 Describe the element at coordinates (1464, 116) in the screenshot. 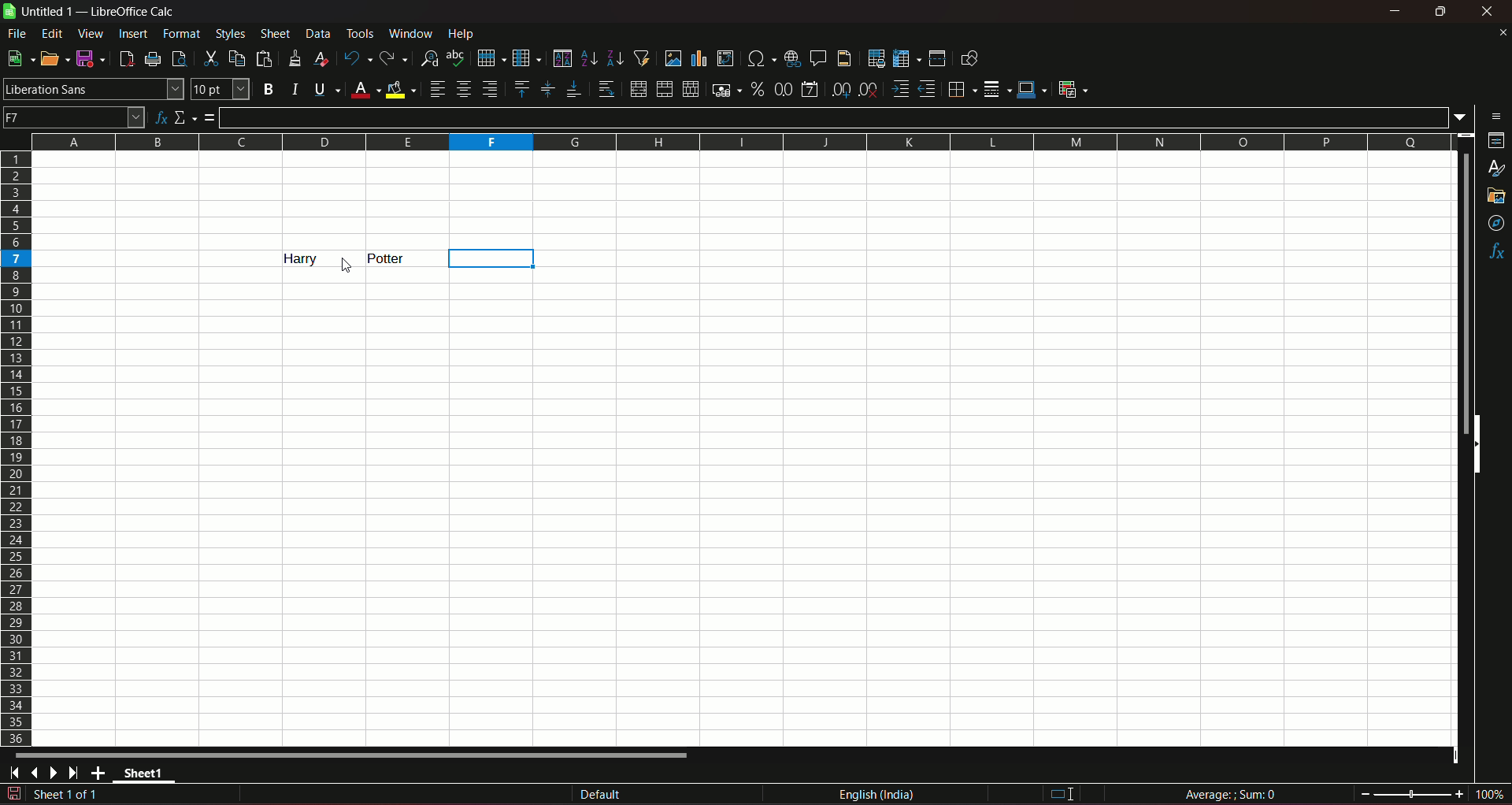

I see `expand formula bar` at that location.